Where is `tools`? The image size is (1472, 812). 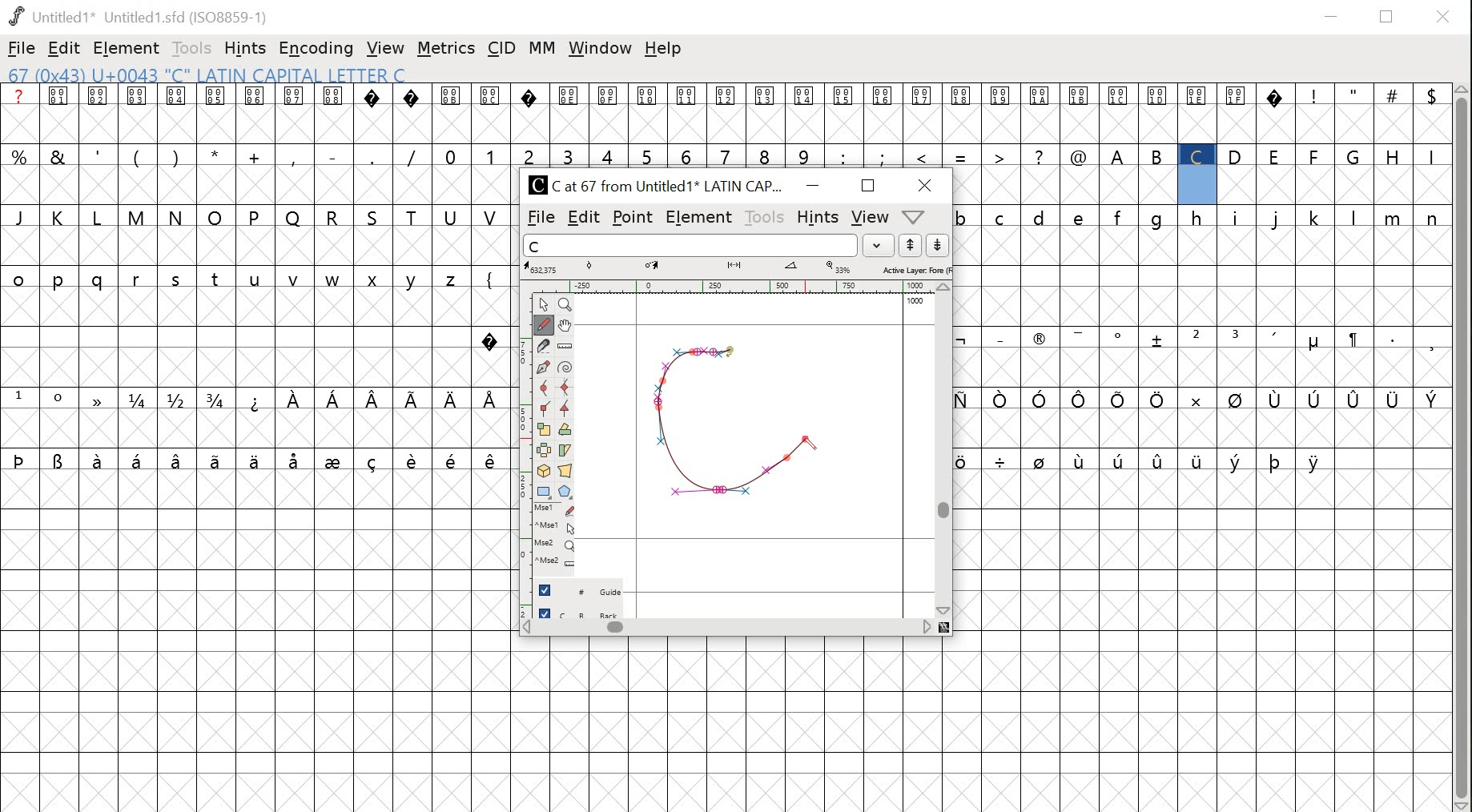
tools is located at coordinates (766, 215).